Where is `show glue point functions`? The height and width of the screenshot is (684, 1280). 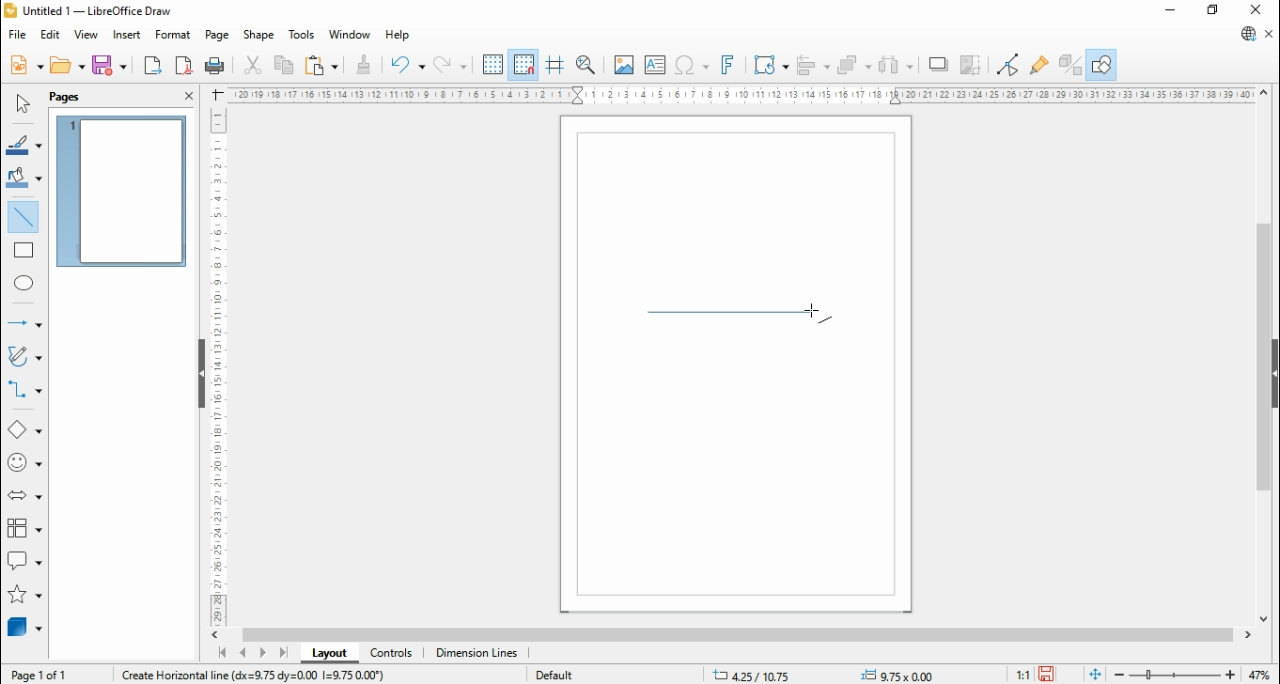
show glue point functions is located at coordinates (1038, 64).